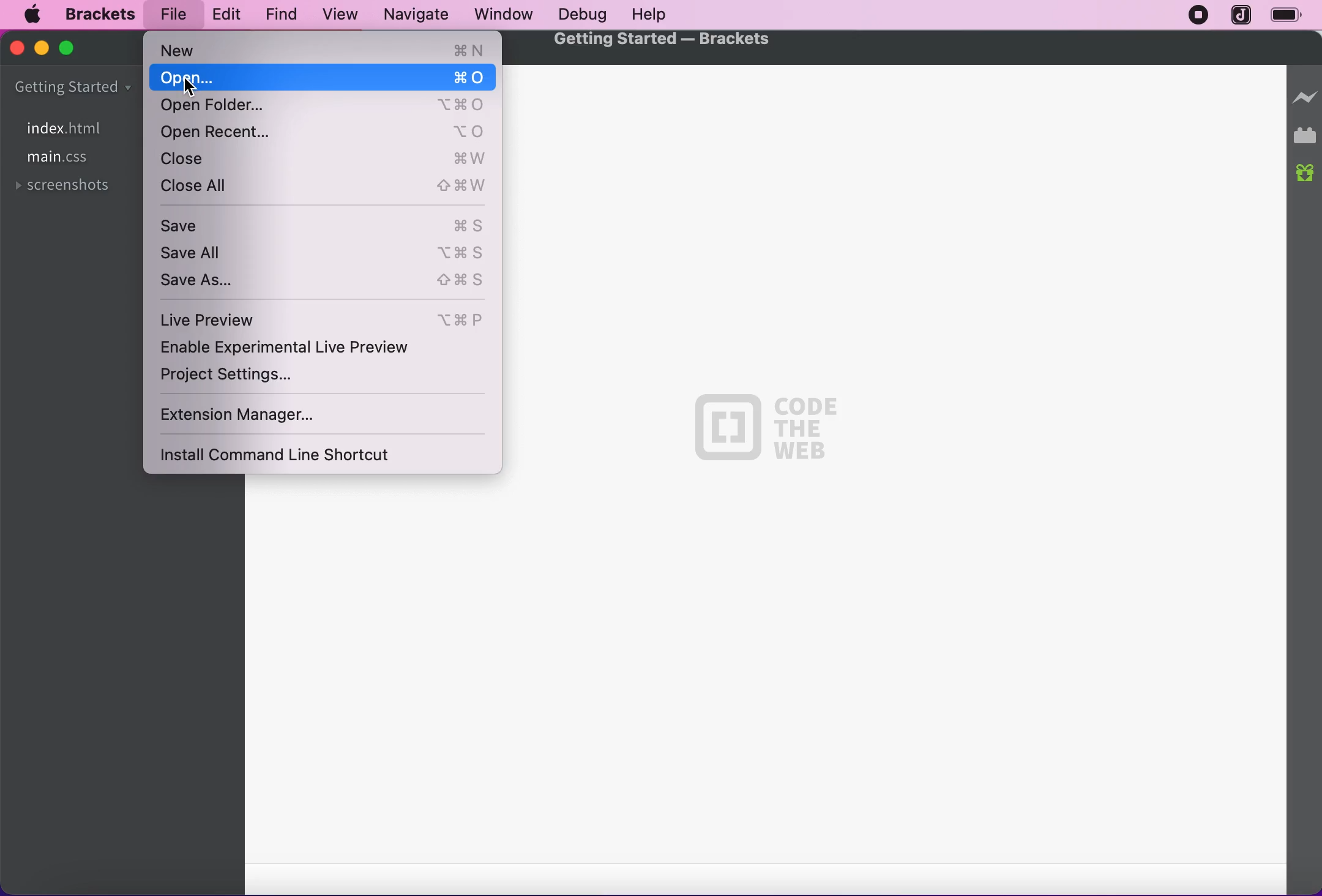 The width and height of the screenshot is (1322, 896). What do you see at coordinates (73, 89) in the screenshot?
I see `getting started` at bounding box center [73, 89].